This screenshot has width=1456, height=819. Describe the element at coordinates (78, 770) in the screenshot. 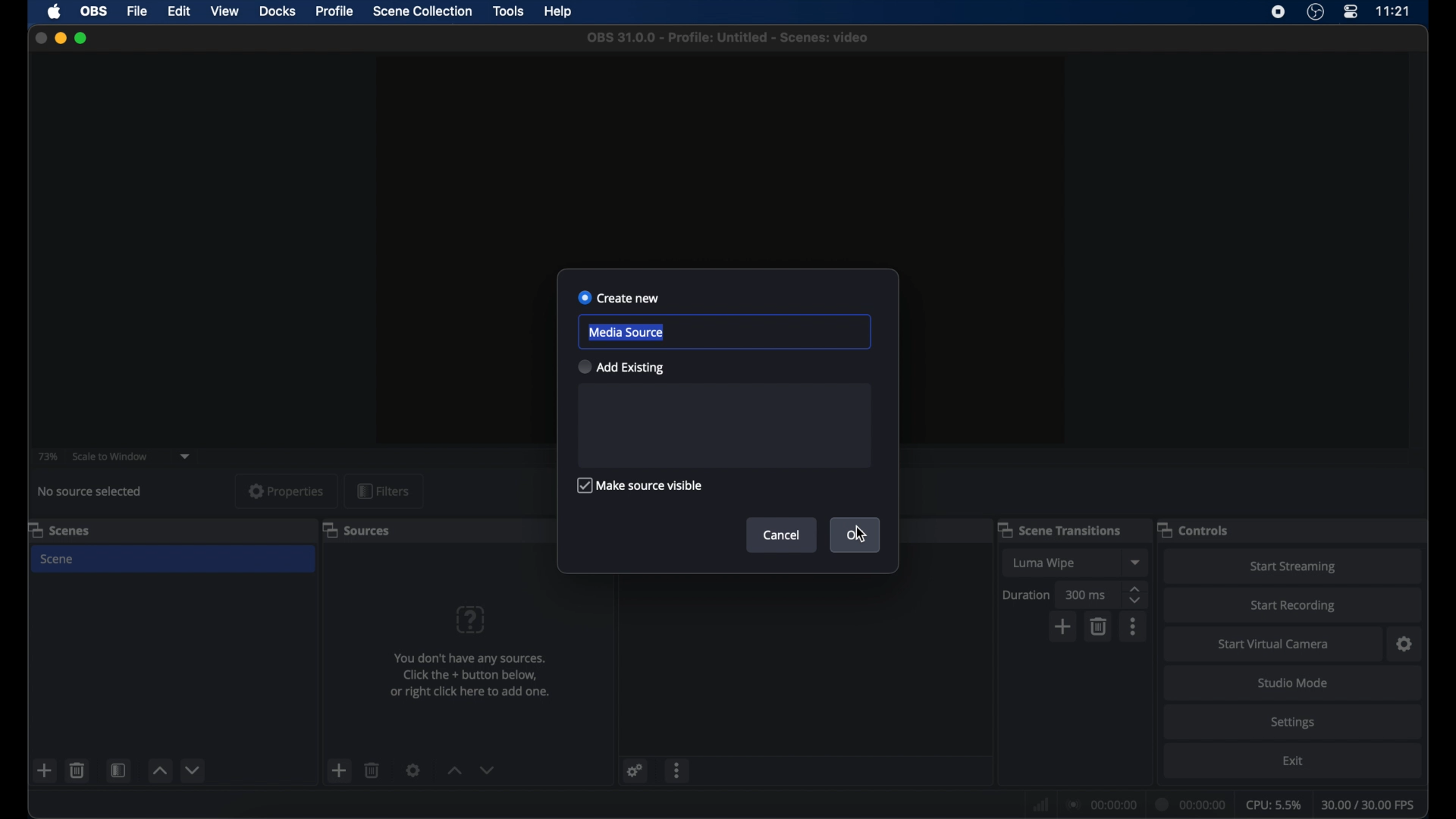

I see `delete` at that location.